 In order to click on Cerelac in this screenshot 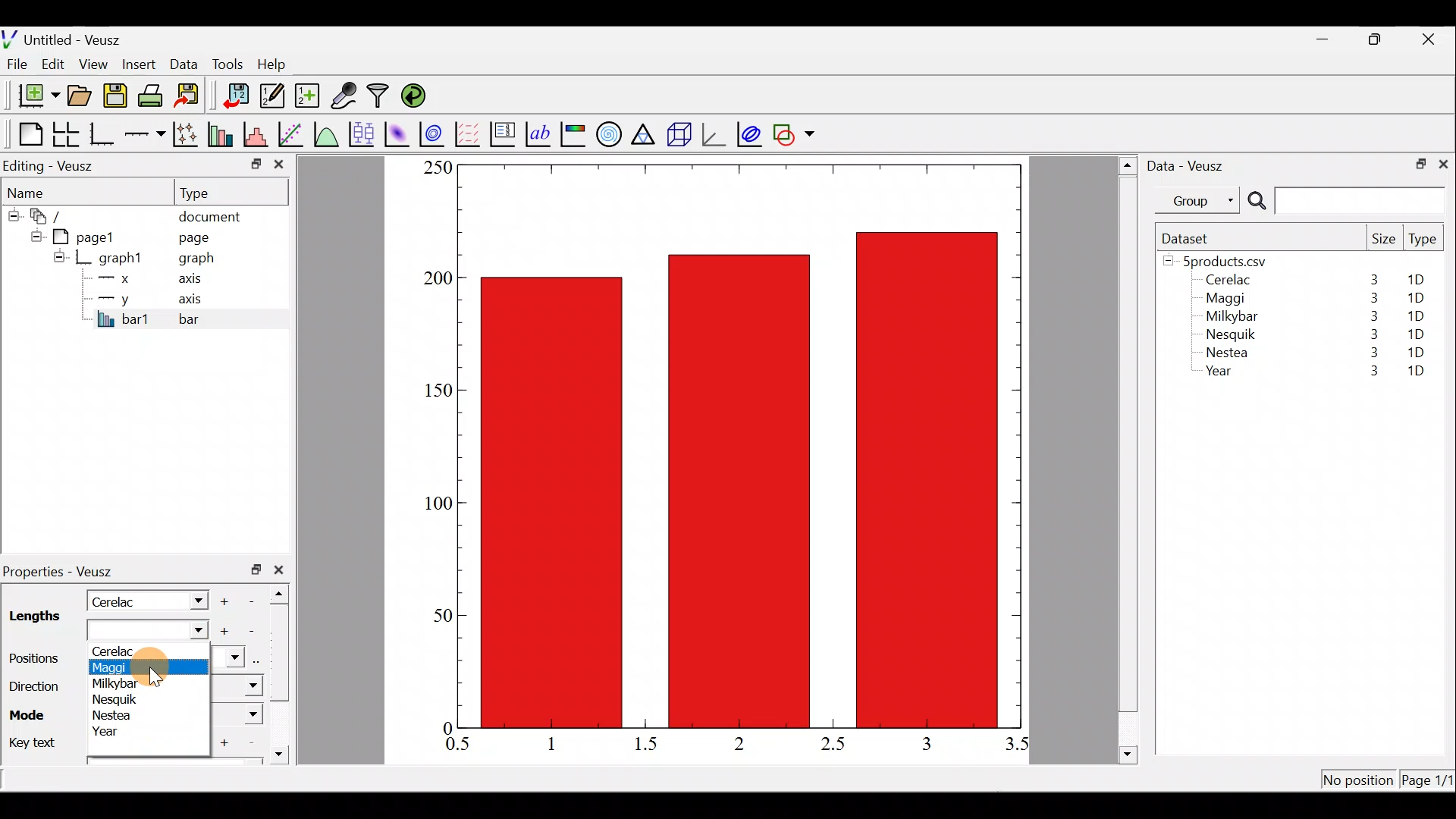, I will do `click(126, 651)`.